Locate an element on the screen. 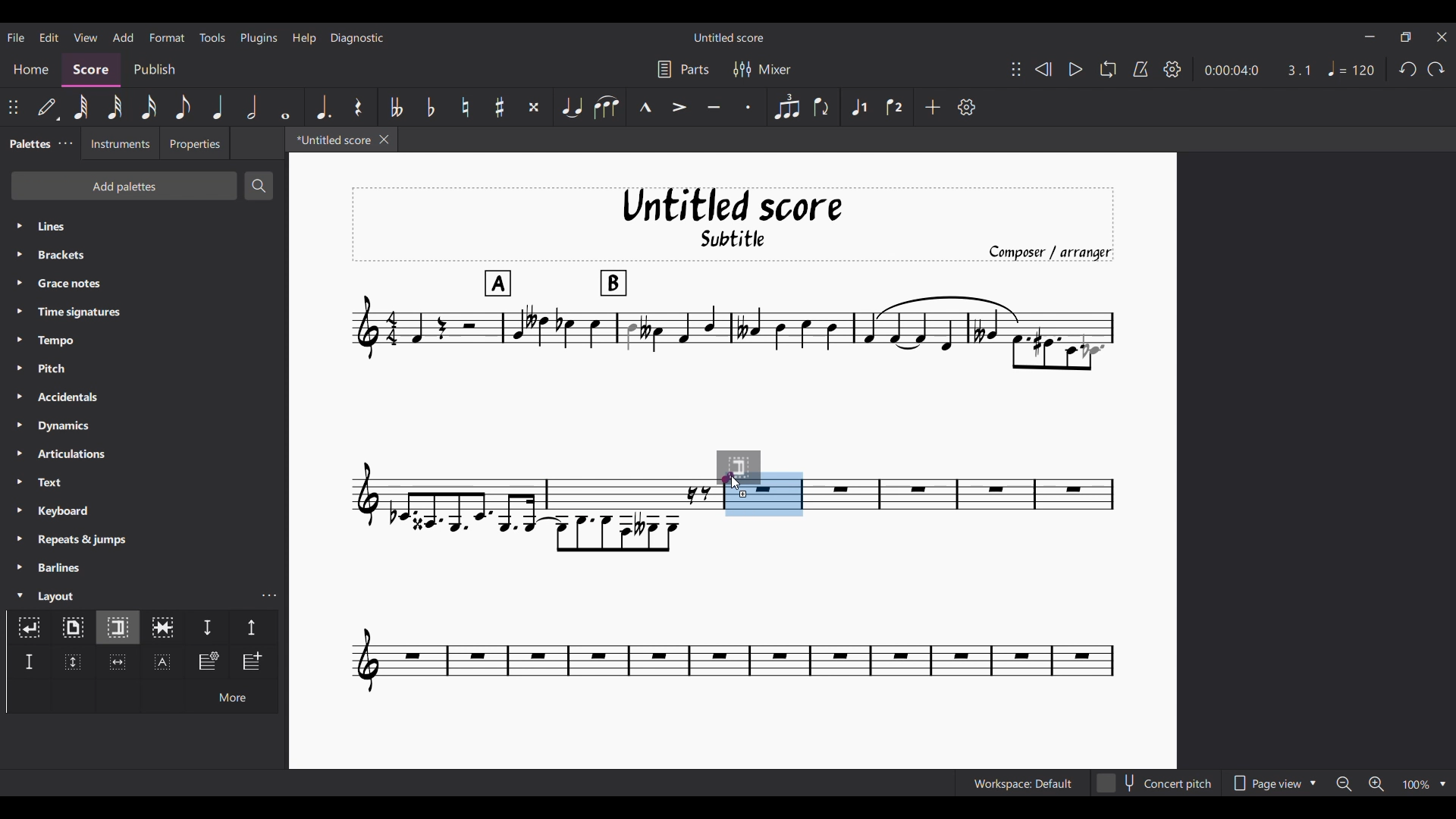 The image size is (1456, 819). 0:00:04:0 is located at coordinates (1232, 71).